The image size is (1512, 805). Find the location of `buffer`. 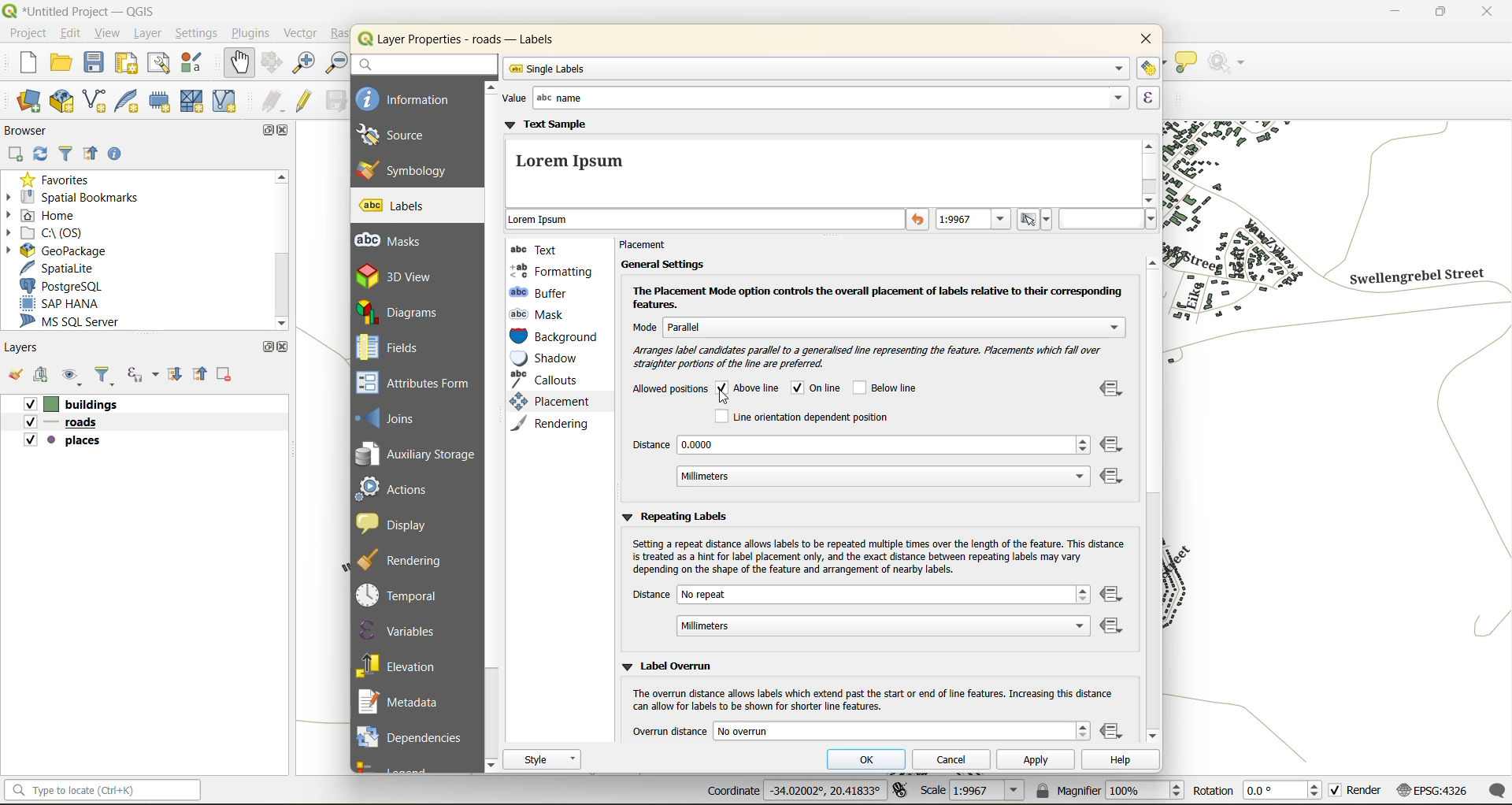

buffer is located at coordinates (543, 292).